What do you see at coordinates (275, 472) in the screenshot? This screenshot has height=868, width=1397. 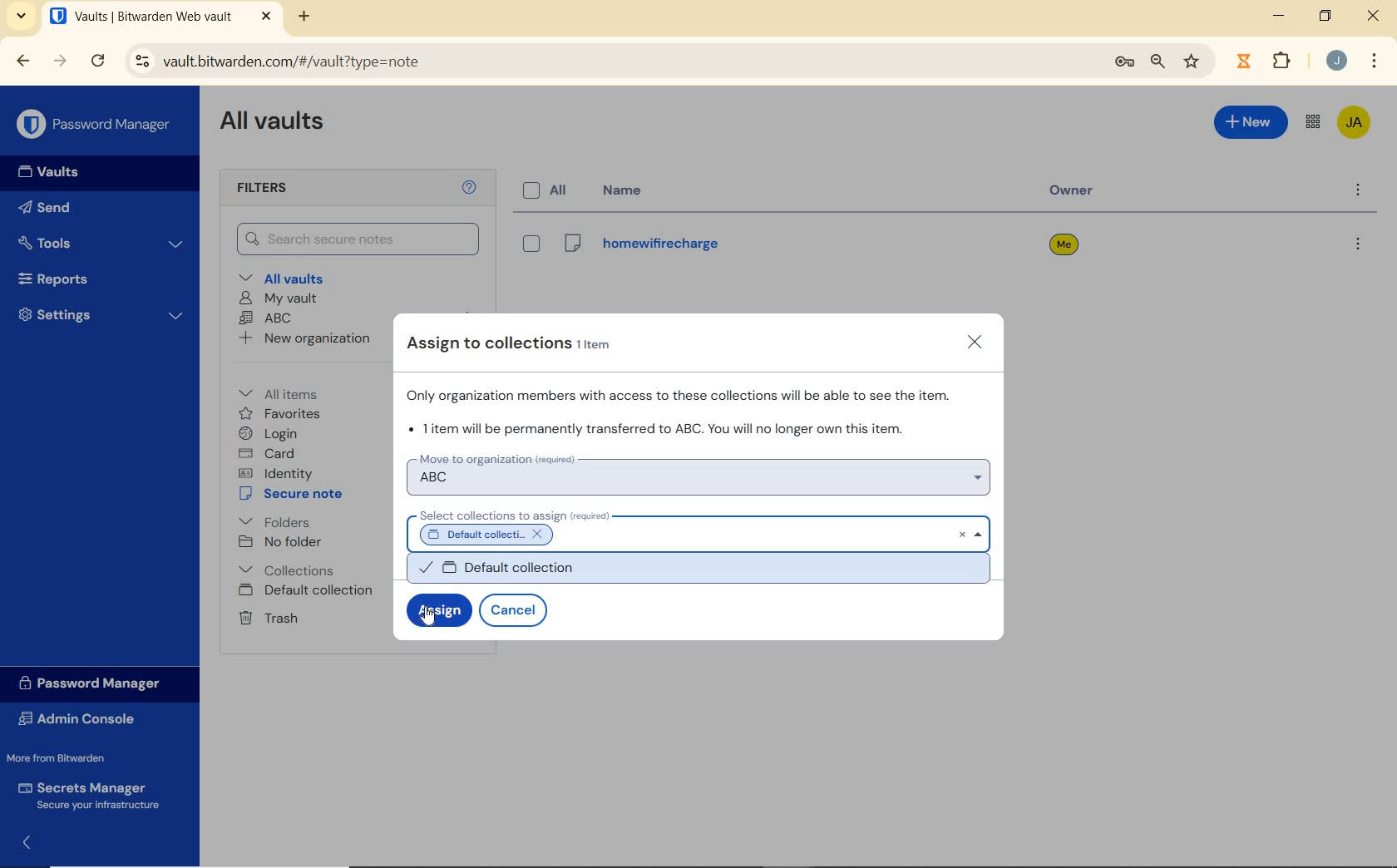 I see `identity` at bounding box center [275, 472].